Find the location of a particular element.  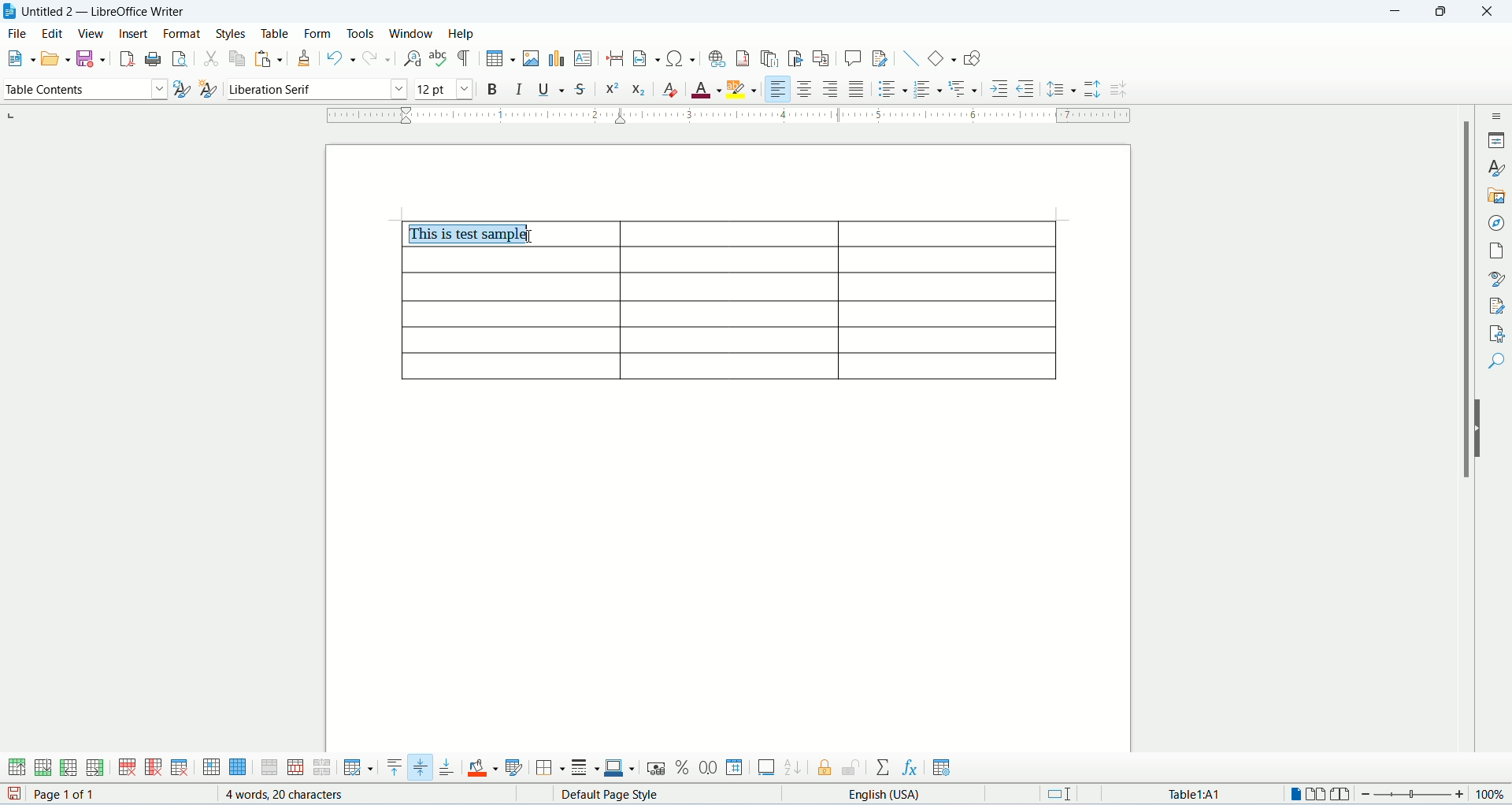

insert line is located at coordinates (912, 59).